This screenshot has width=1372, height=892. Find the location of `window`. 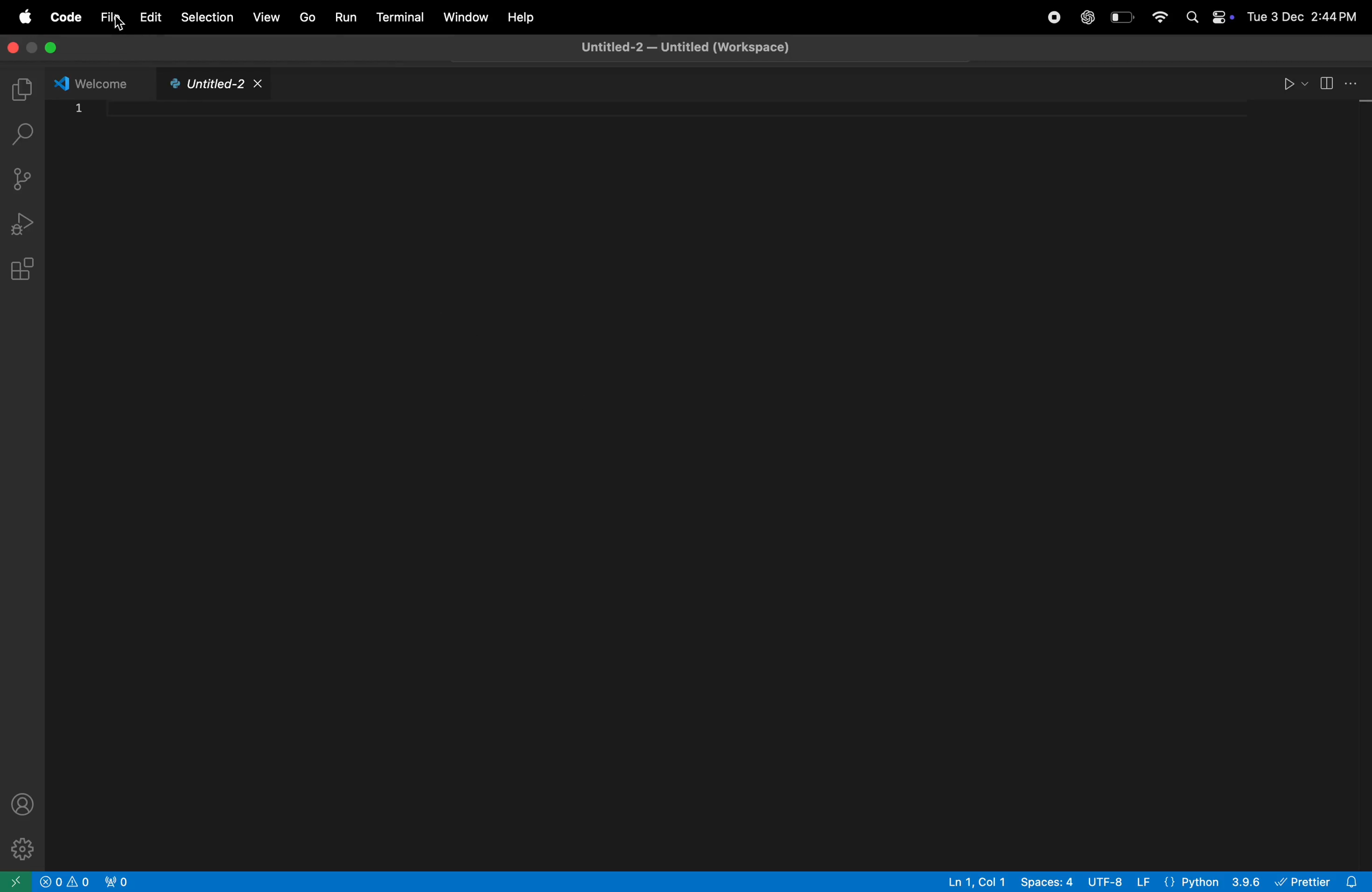

window is located at coordinates (464, 16).